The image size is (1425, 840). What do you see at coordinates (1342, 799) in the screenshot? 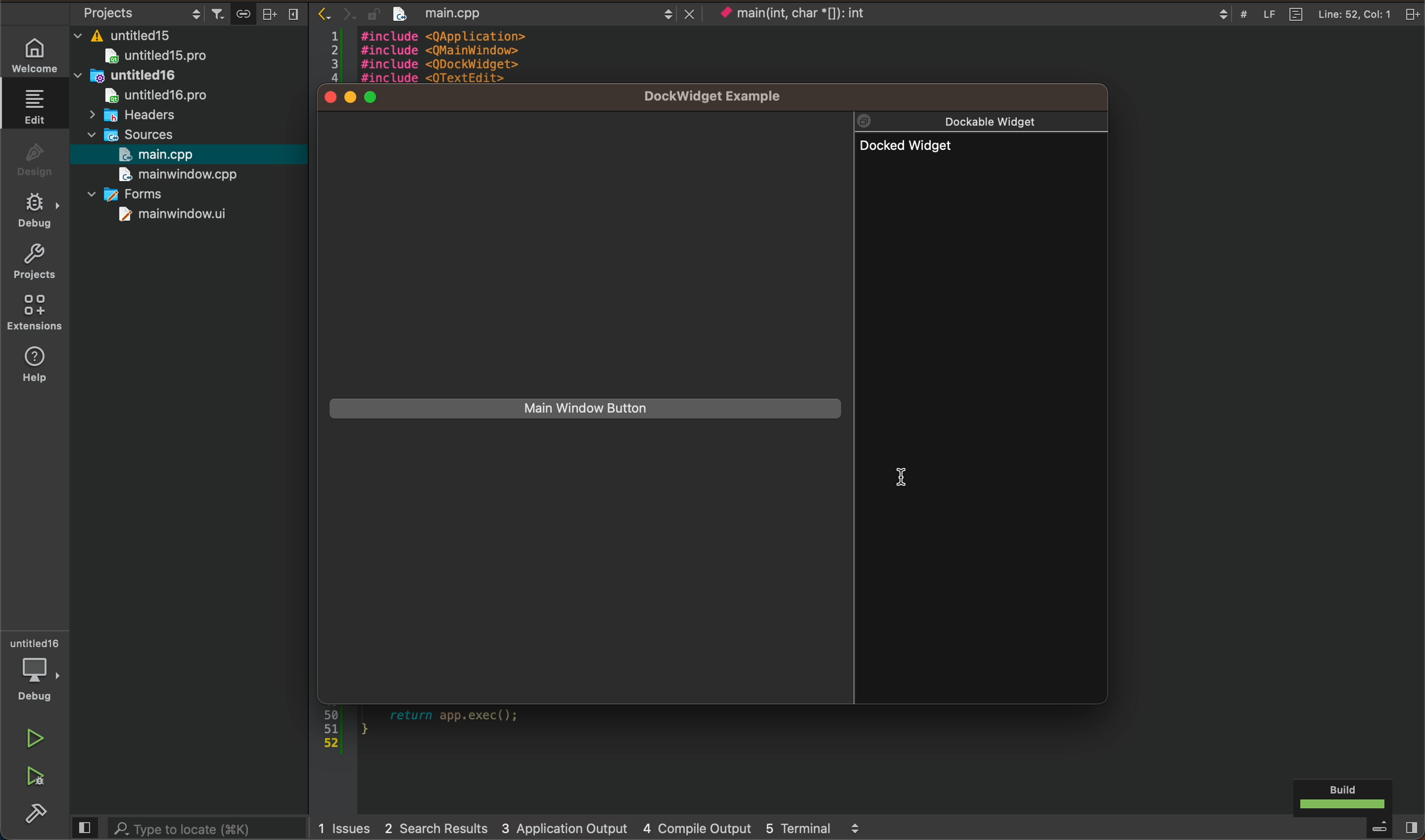
I see `build` at bounding box center [1342, 799].